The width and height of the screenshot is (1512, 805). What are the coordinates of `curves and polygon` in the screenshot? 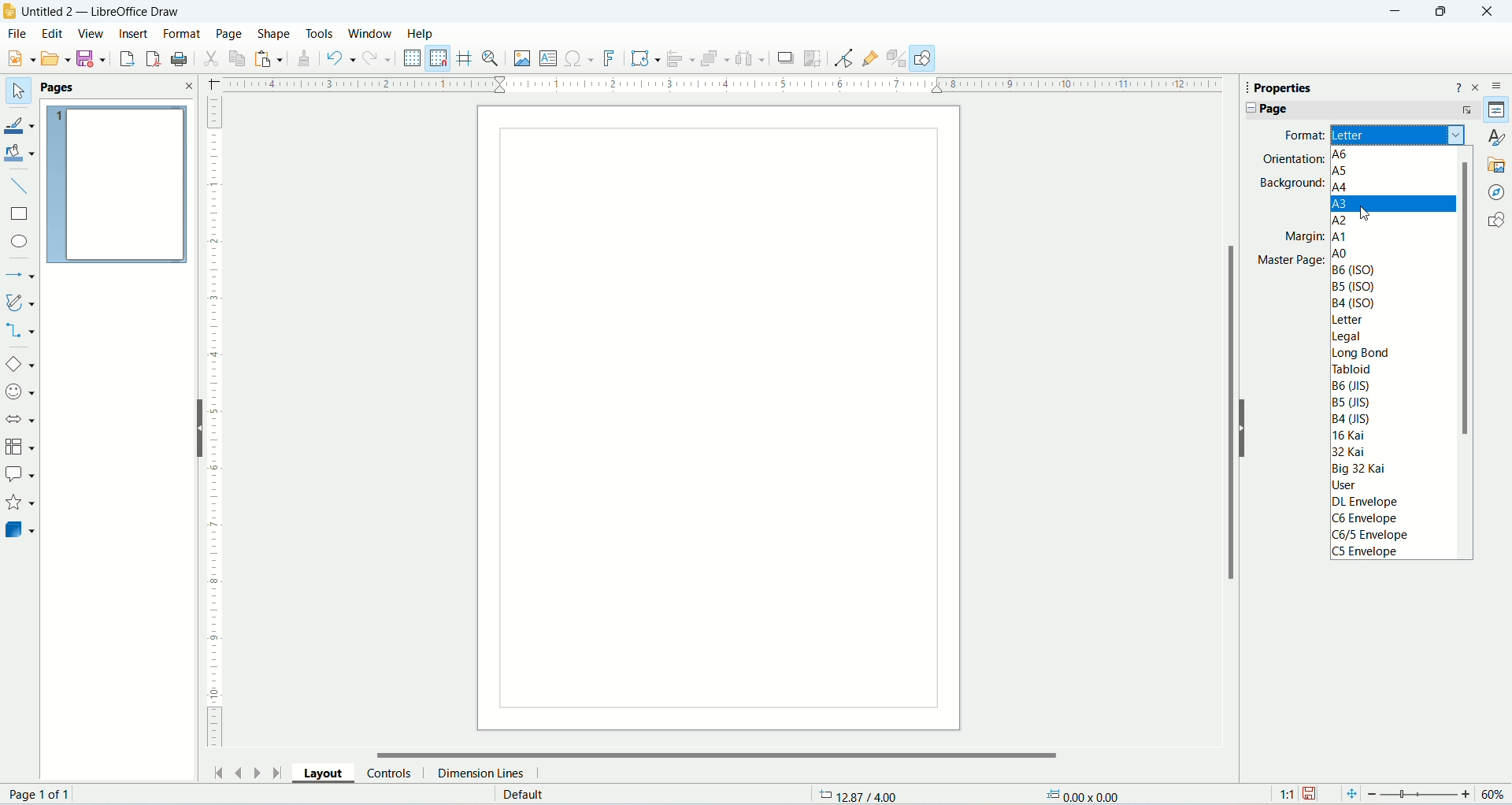 It's located at (20, 302).